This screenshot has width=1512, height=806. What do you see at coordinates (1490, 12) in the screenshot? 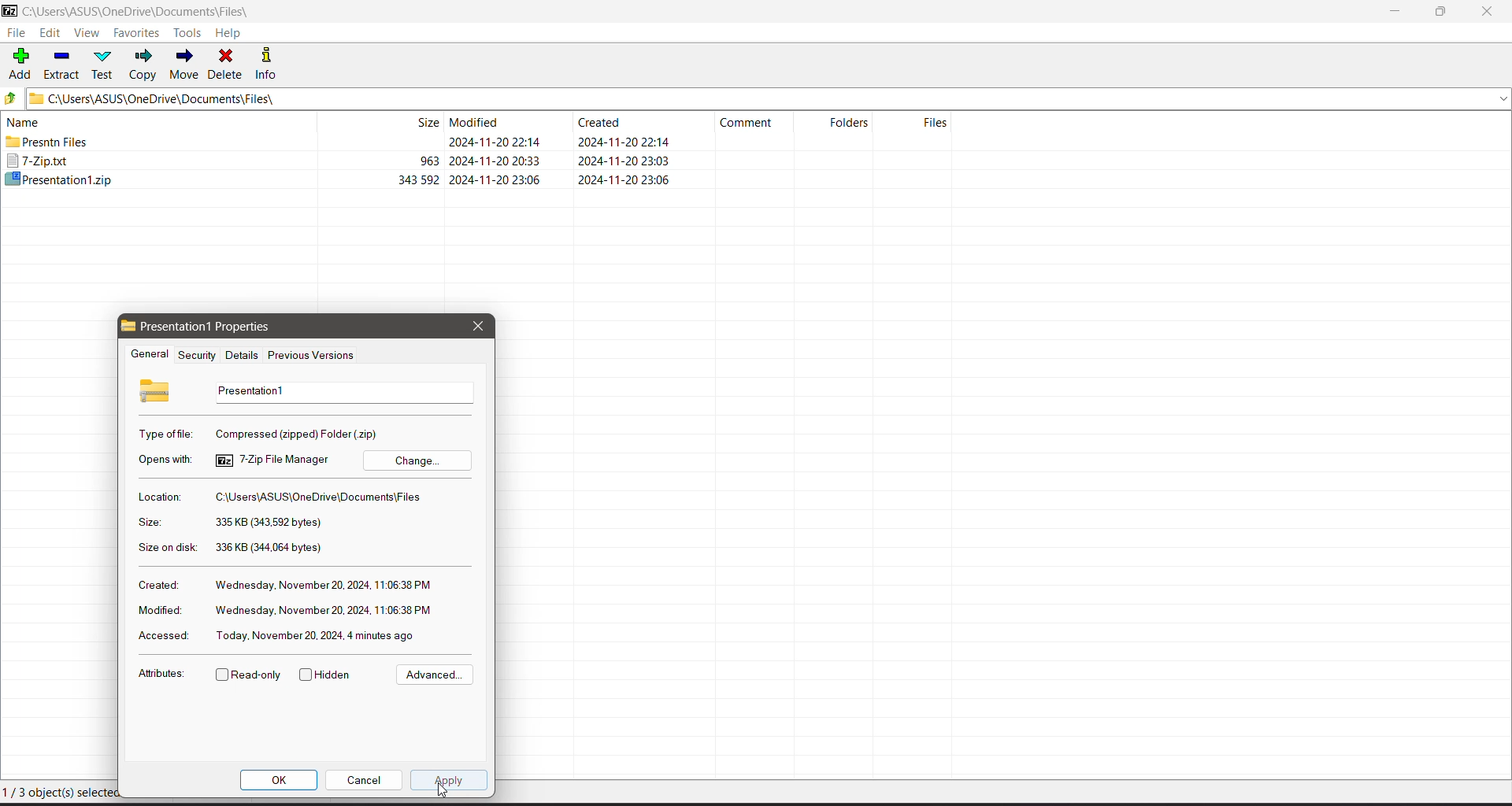
I see `Close` at bounding box center [1490, 12].